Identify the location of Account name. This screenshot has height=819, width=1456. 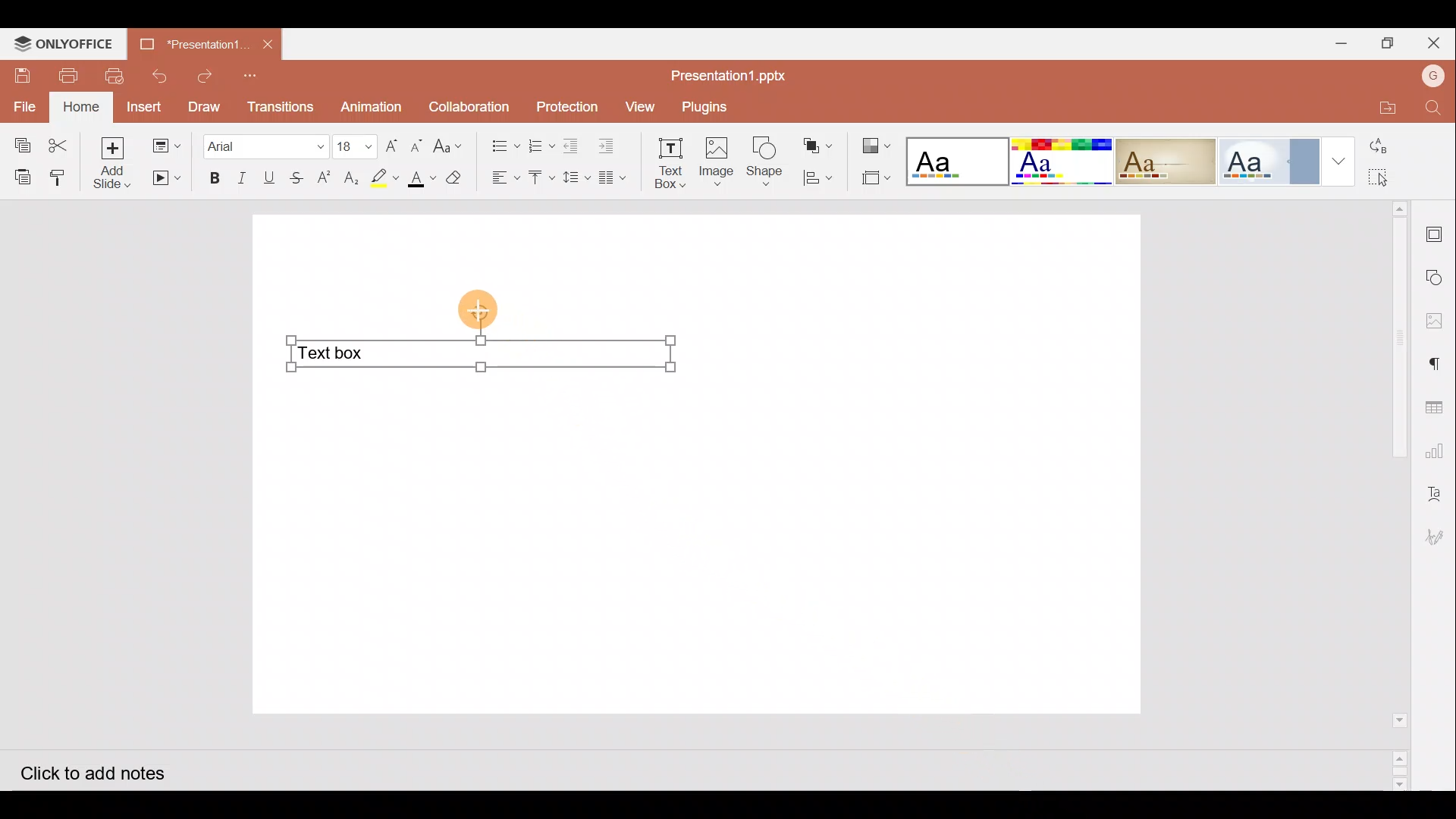
(1432, 74).